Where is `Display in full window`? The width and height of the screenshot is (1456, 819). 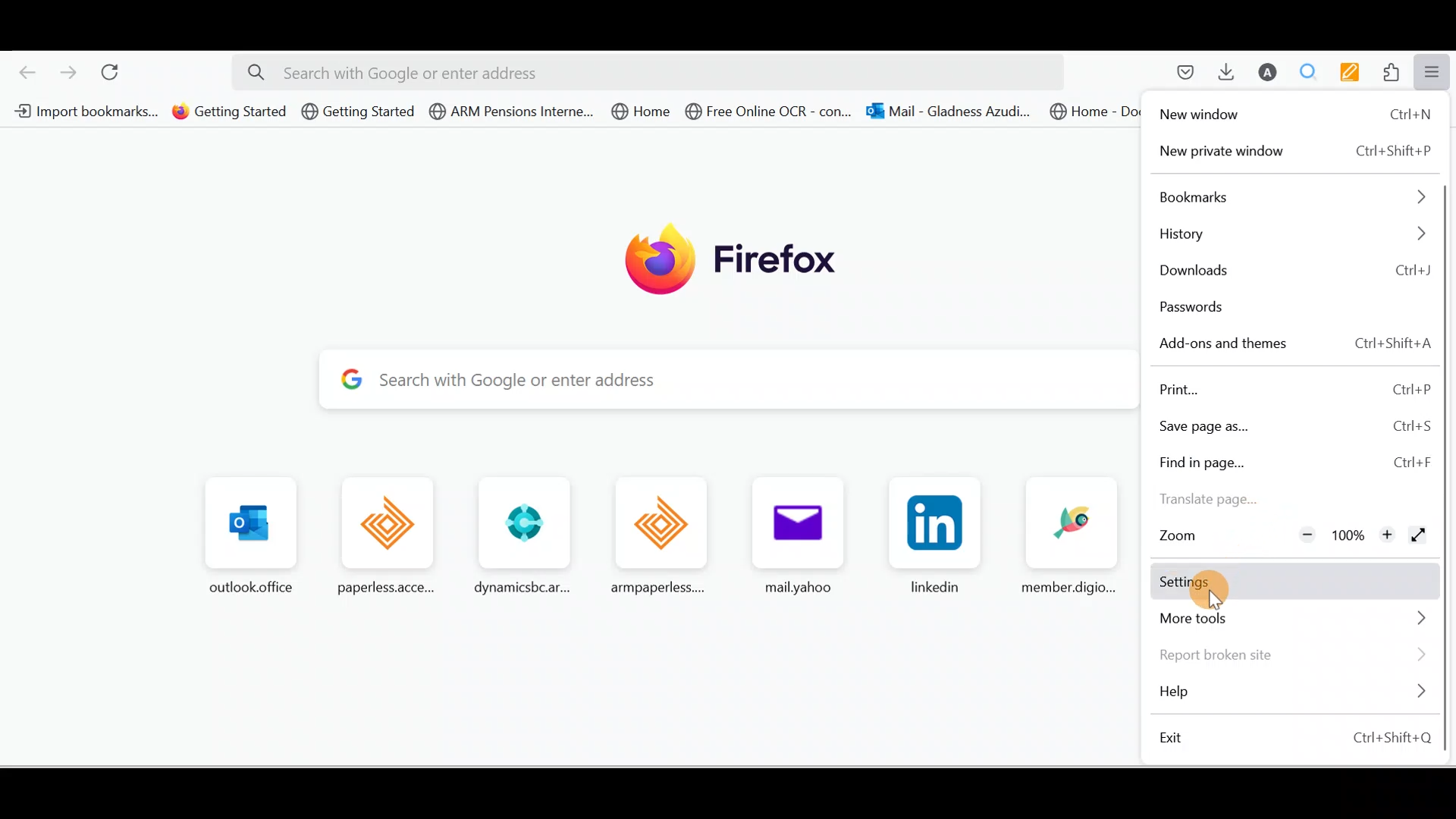 Display in full window is located at coordinates (1419, 534).